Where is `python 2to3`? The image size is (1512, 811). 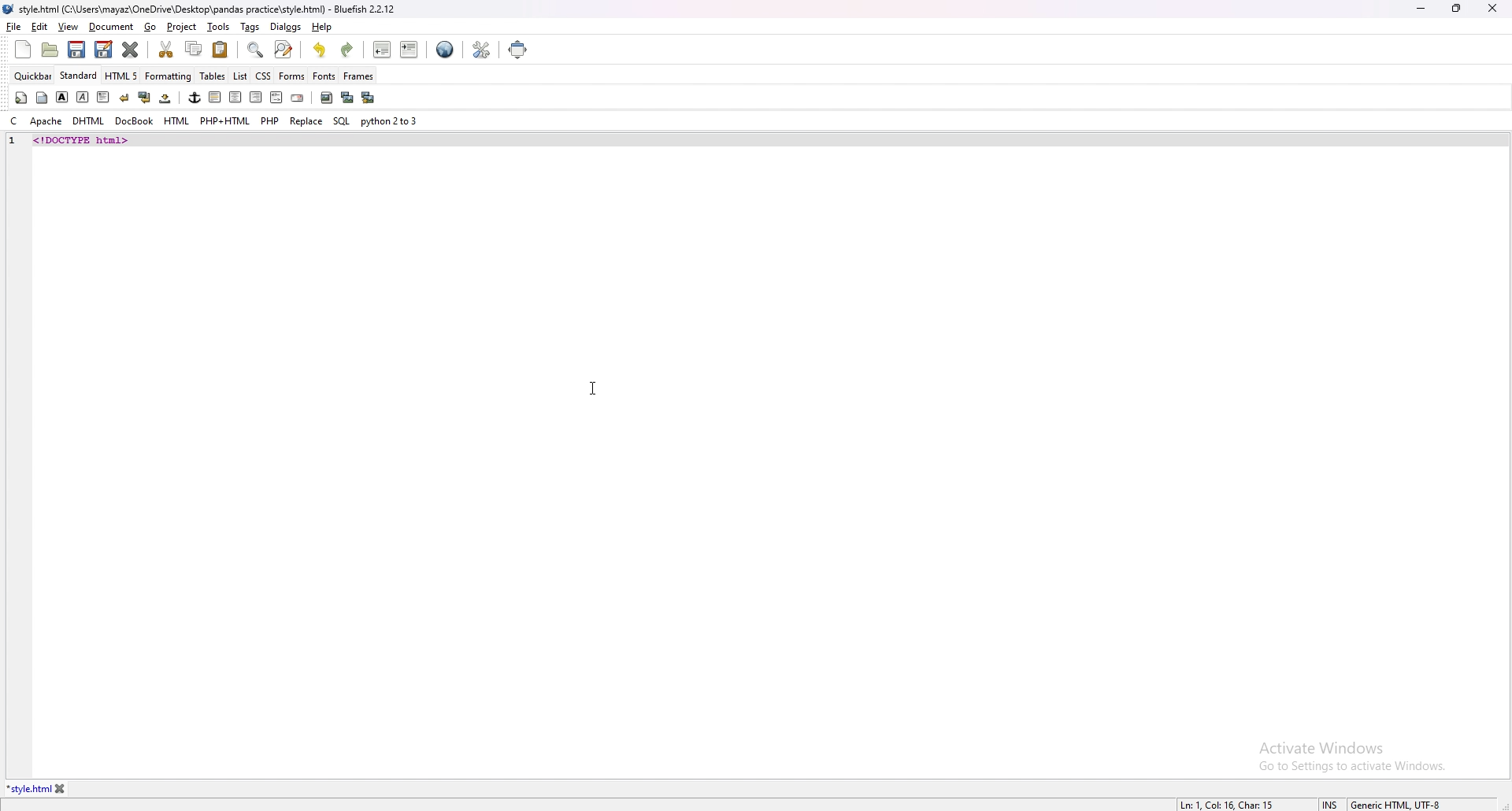
python 2to3 is located at coordinates (391, 121).